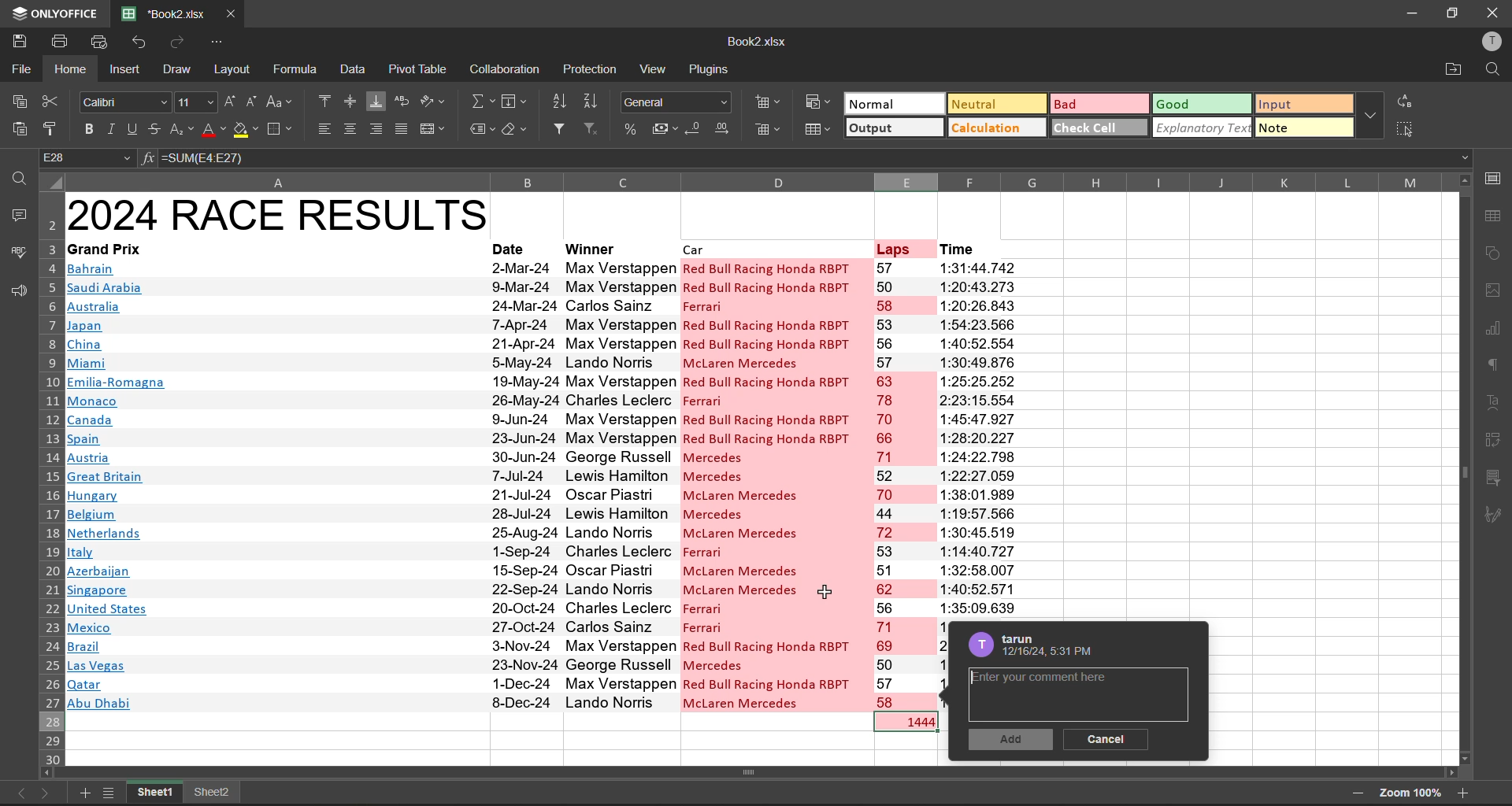  I want to click on customize quick access toolbar, so click(221, 43).